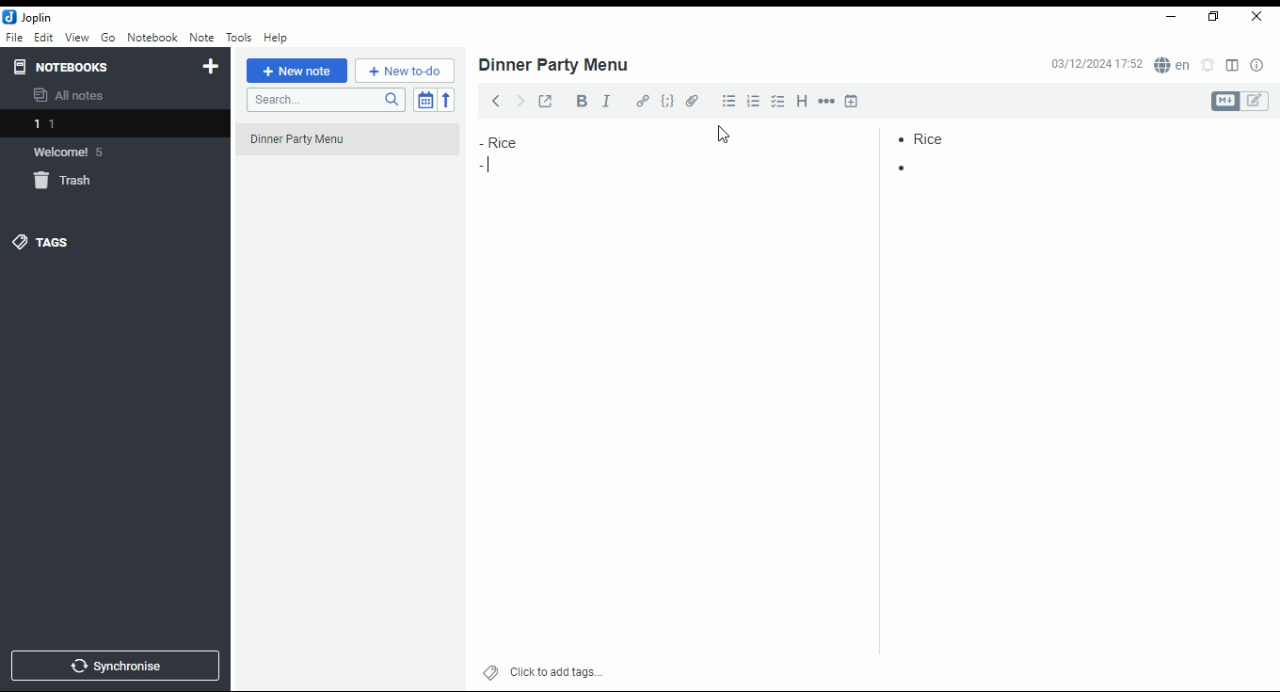 Image resolution: width=1280 pixels, height=692 pixels. Describe the element at coordinates (578, 101) in the screenshot. I see `bold` at that location.